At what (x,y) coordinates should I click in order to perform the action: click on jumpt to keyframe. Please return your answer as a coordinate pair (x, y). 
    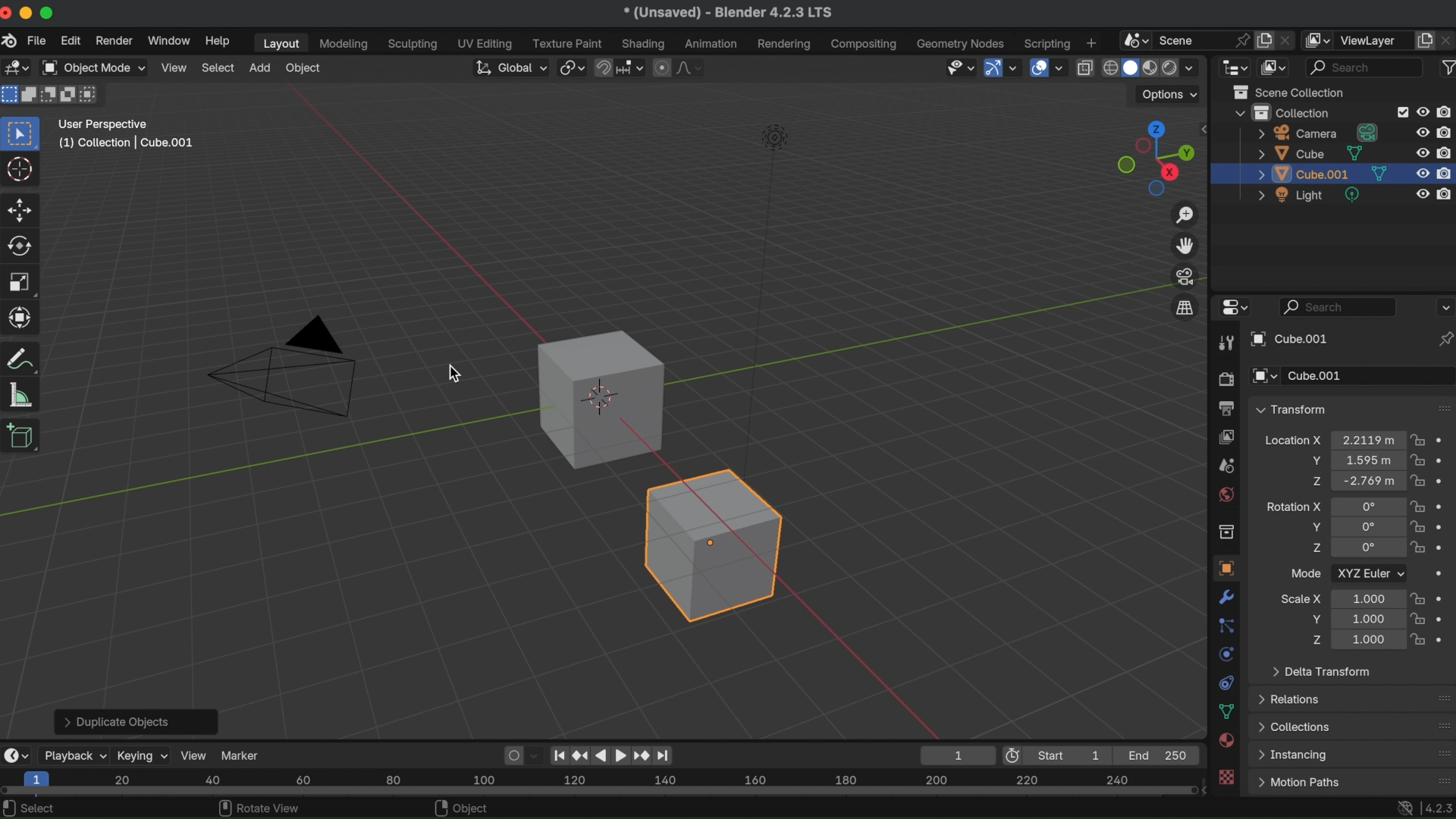
    Looking at the image, I should click on (641, 755).